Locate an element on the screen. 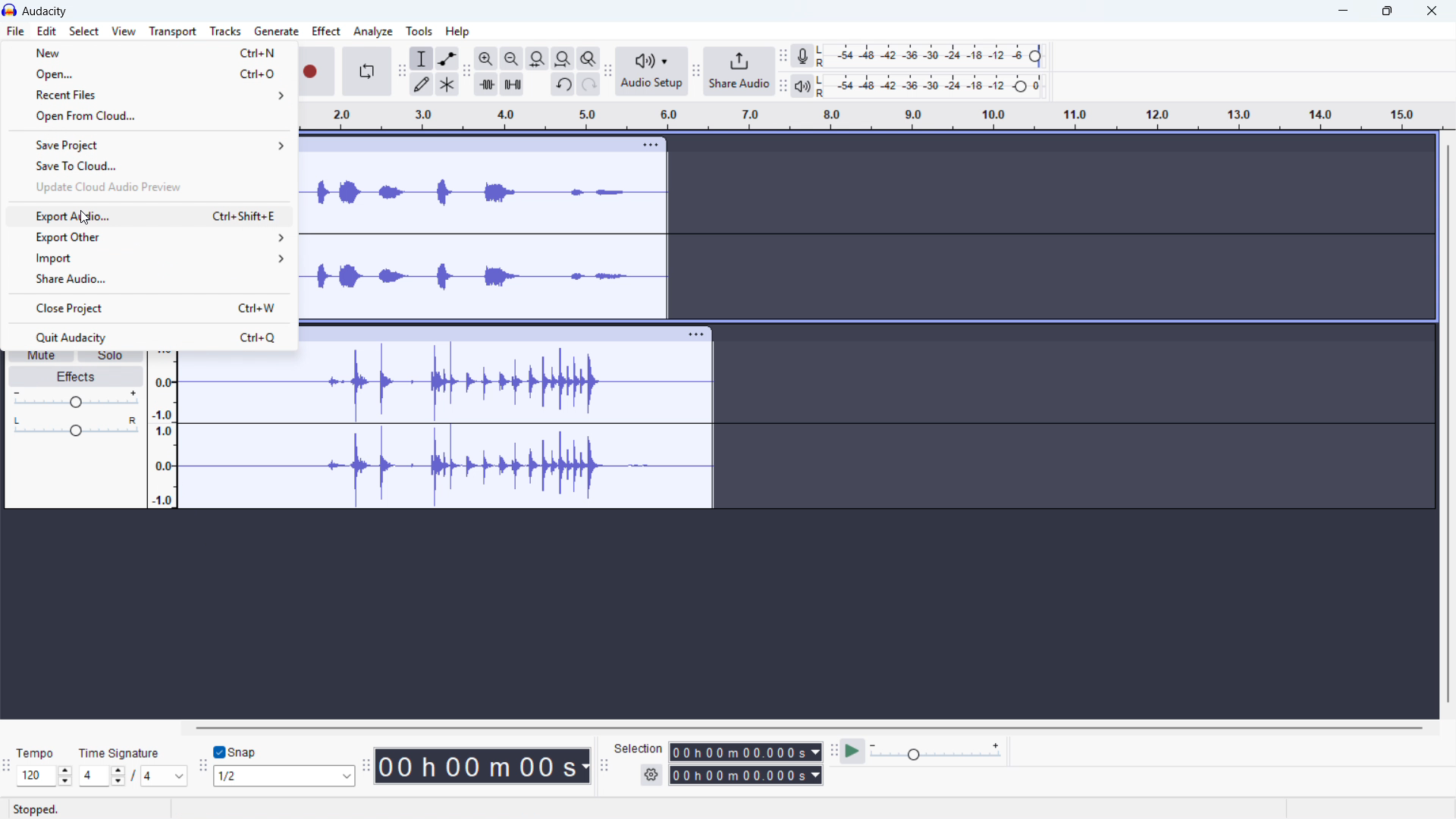  Open track options is located at coordinates (652, 143).